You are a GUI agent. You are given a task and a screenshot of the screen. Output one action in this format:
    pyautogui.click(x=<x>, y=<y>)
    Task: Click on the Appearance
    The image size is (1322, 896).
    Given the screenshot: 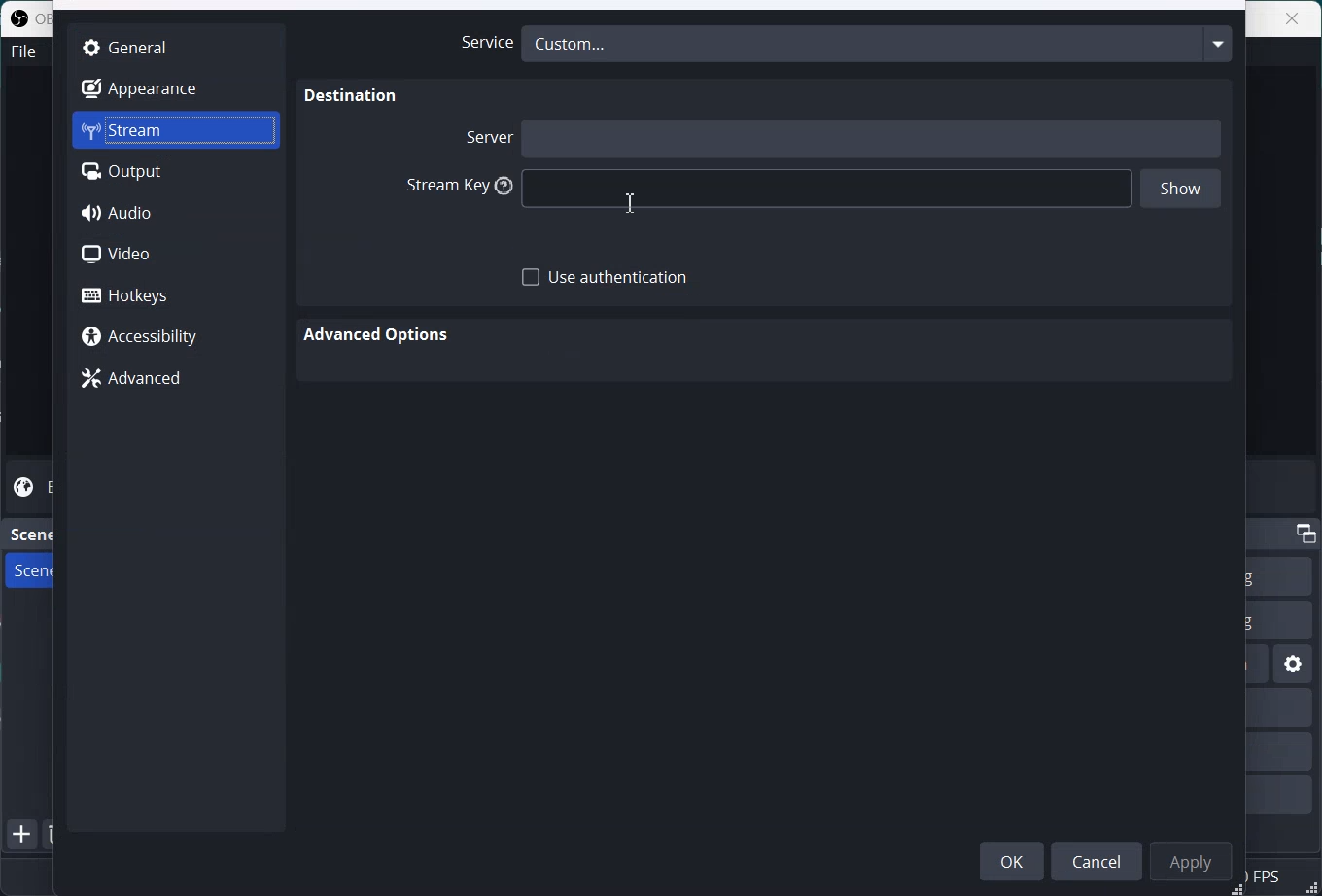 What is the action you would take?
    pyautogui.click(x=175, y=87)
    